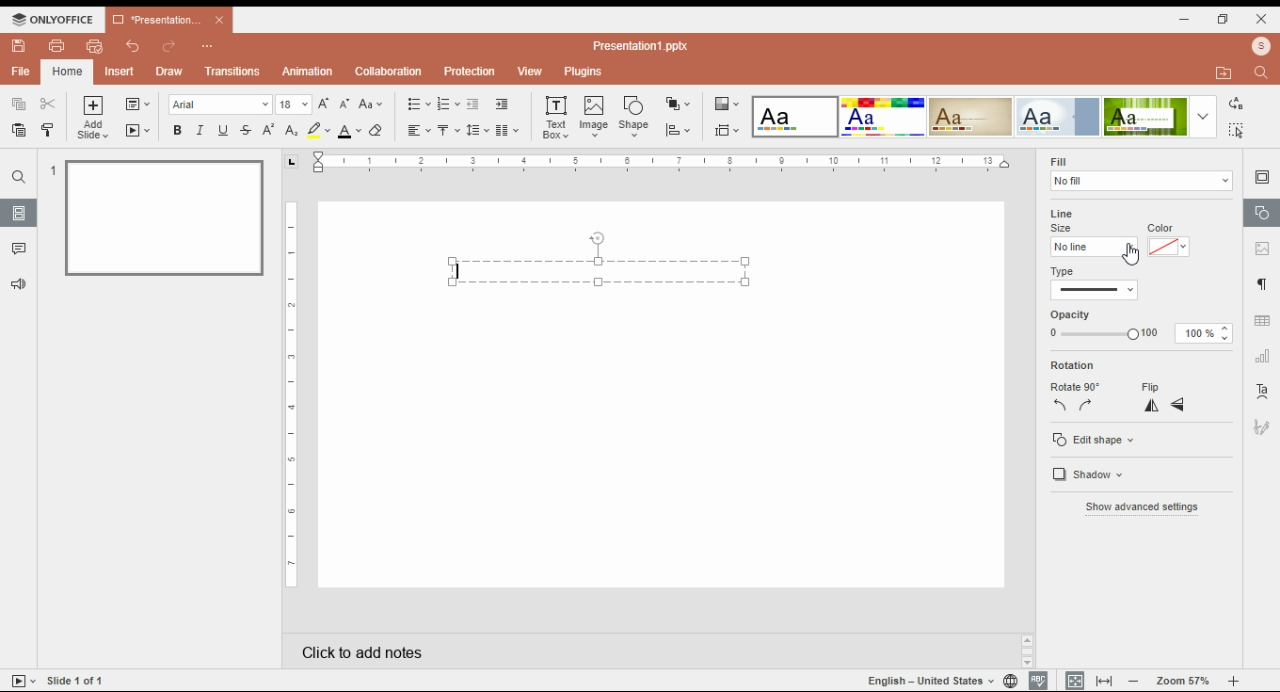 The width and height of the screenshot is (1280, 692). What do you see at coordinates (93, 118) in the screenshot?
I see `add slide` at bounding box center [93, 118].